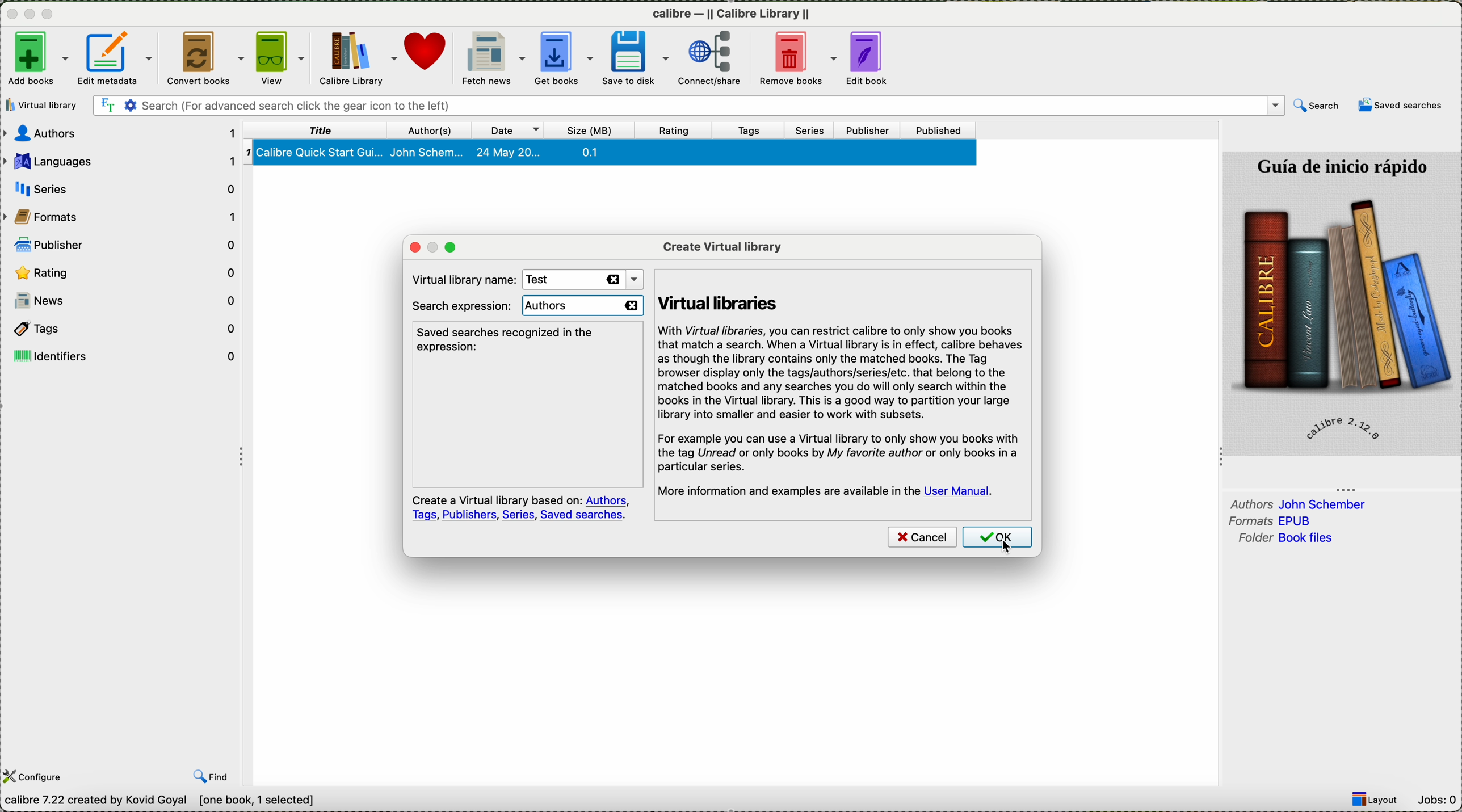  Describe the element at coordinates (758, 131) in the screenshot. I see `tags` at that location.